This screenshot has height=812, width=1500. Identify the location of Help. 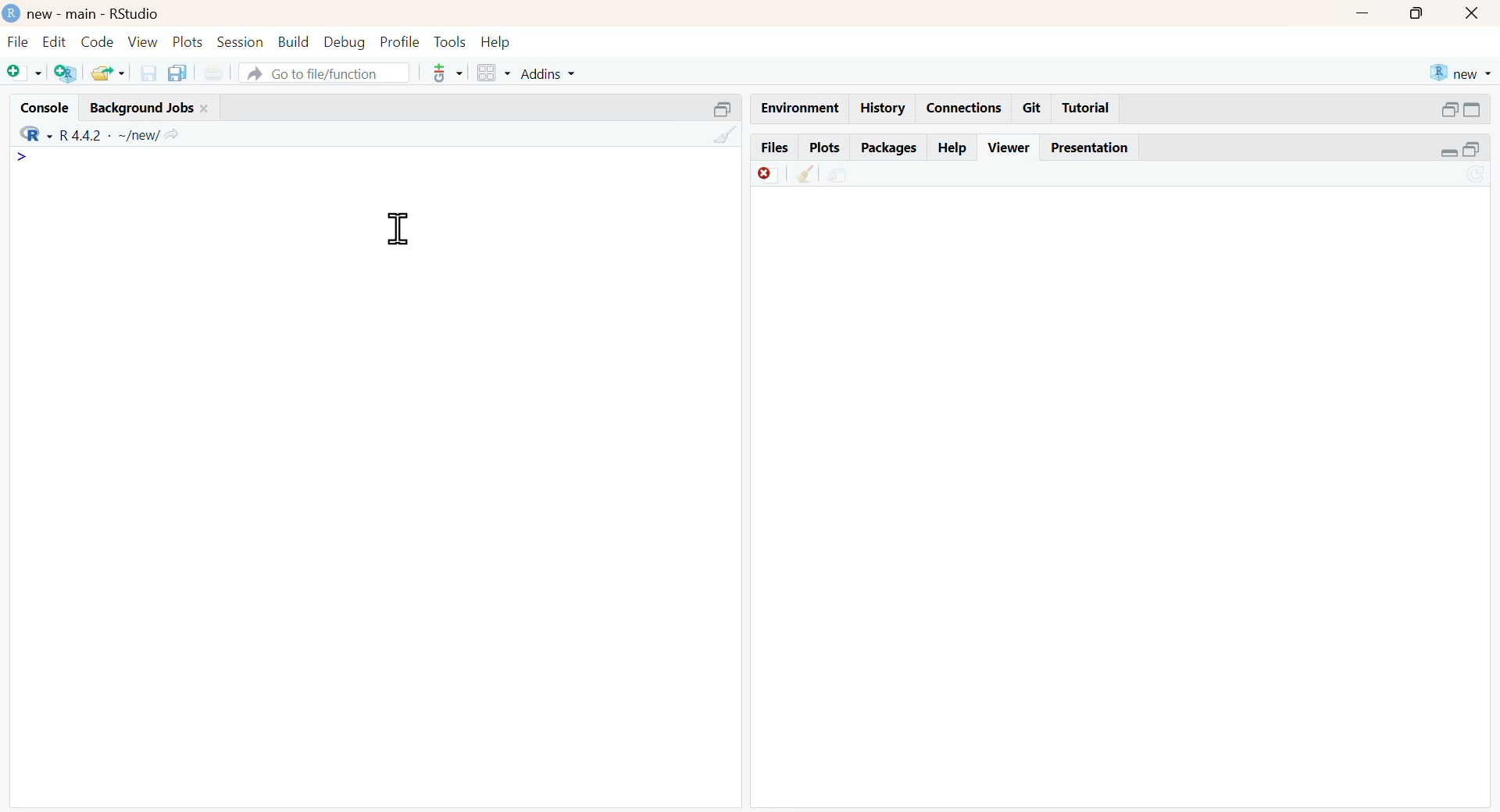
(503, 40).